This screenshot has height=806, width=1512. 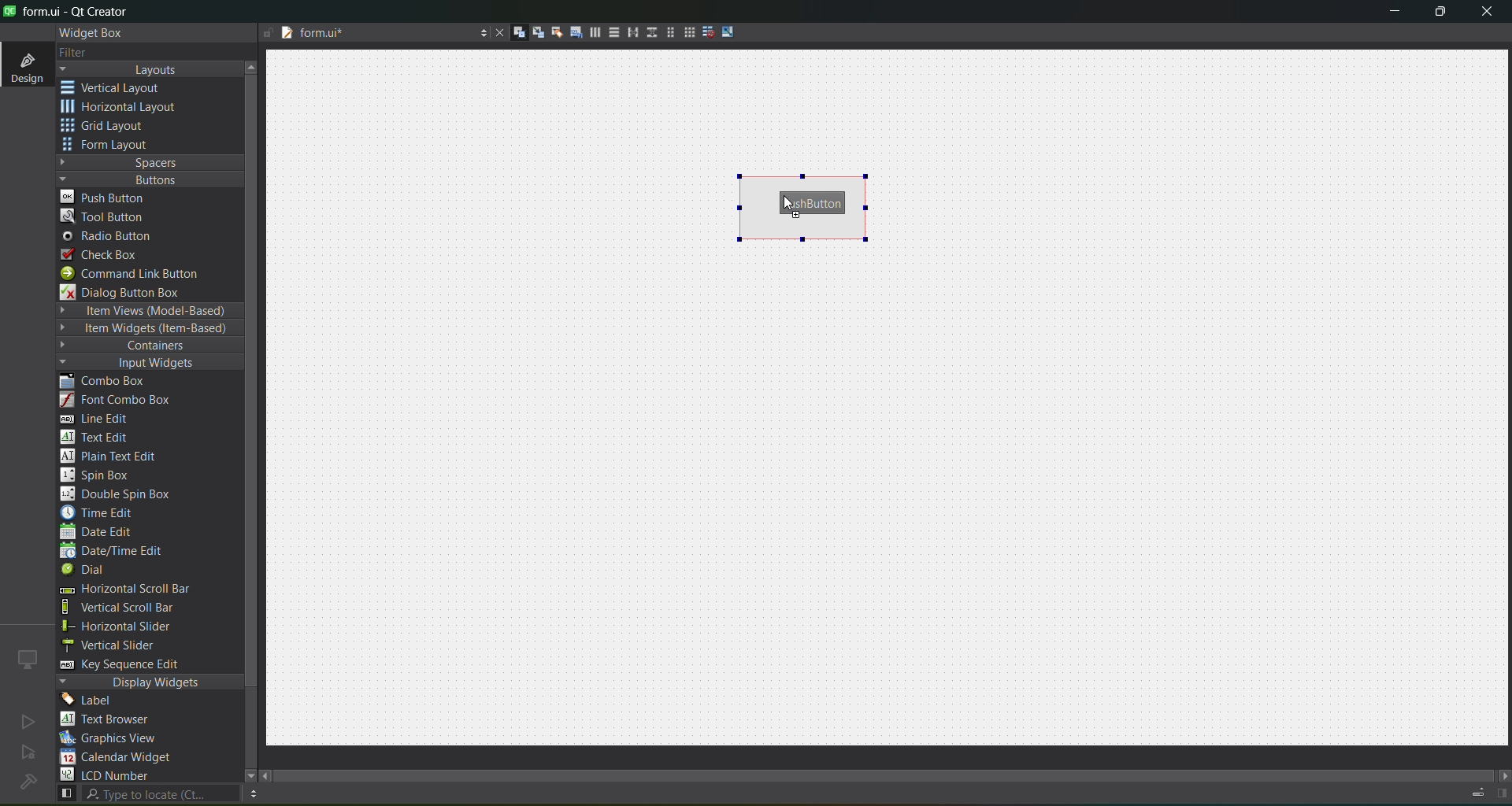 I want to click on horizontal splitter, so click(x=628, y=33).